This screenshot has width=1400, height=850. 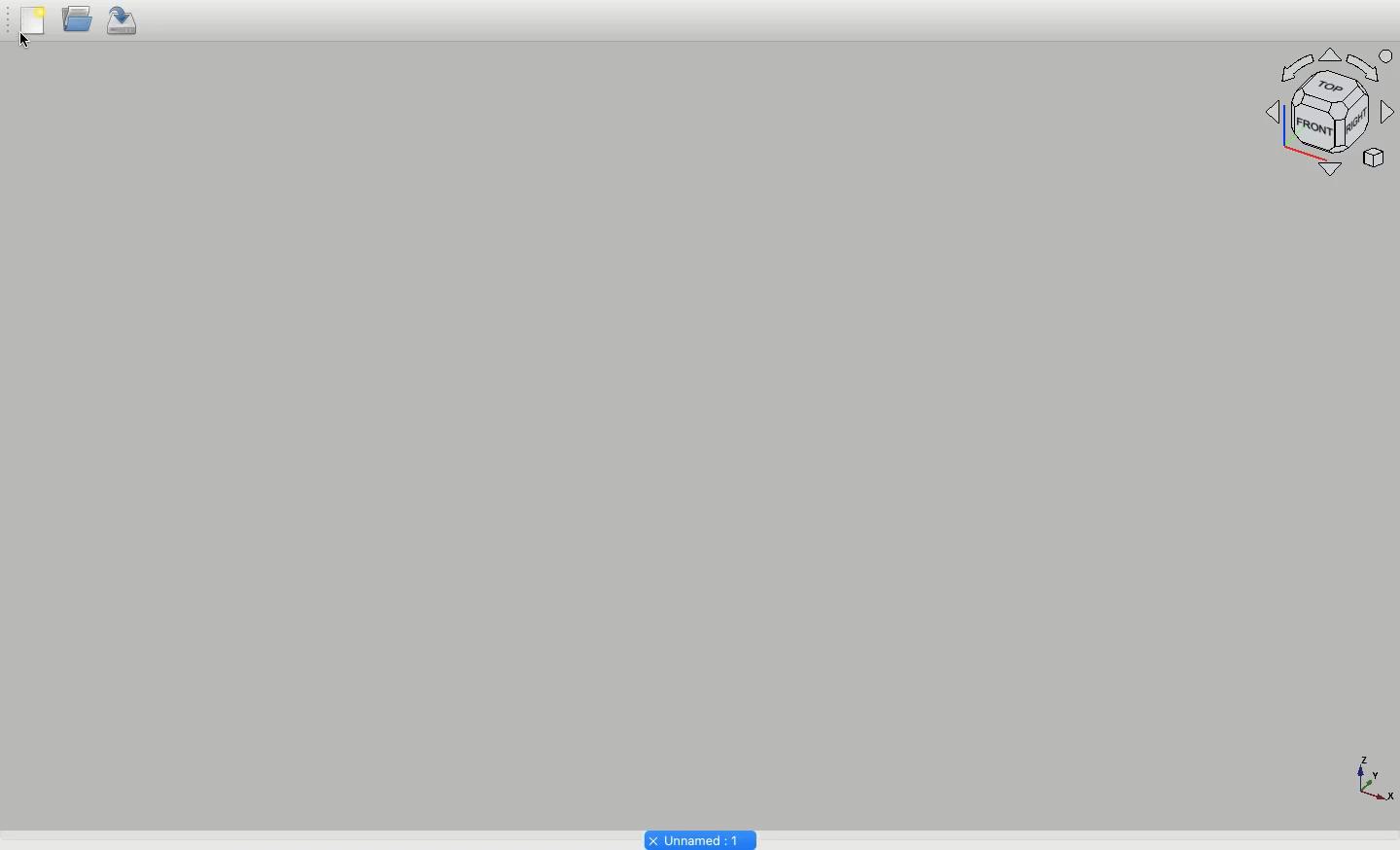 I want to click on Save, so click(x=124, y=22).